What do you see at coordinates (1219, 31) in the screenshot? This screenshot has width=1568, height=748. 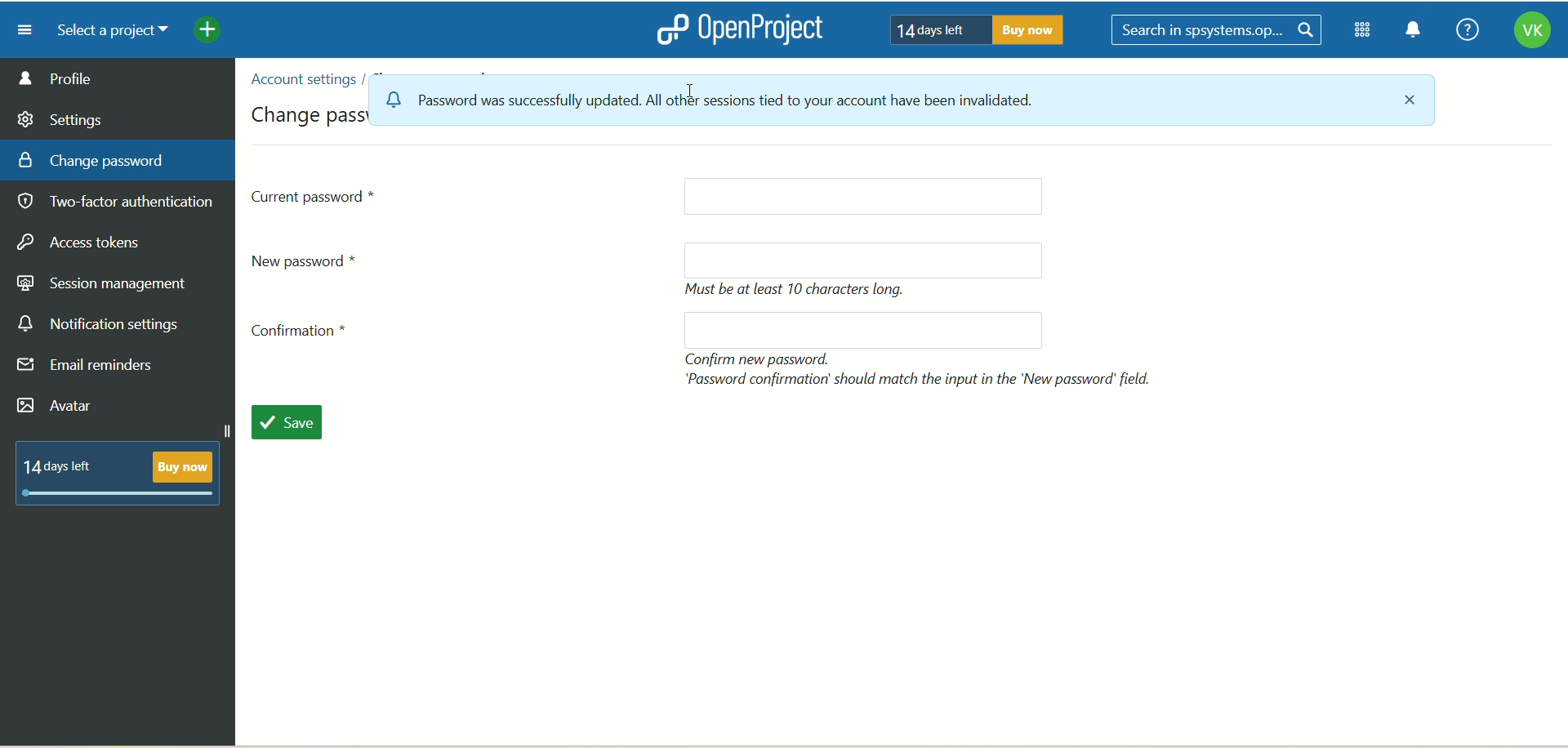 I see `search` at bounding box center [1219, 31].